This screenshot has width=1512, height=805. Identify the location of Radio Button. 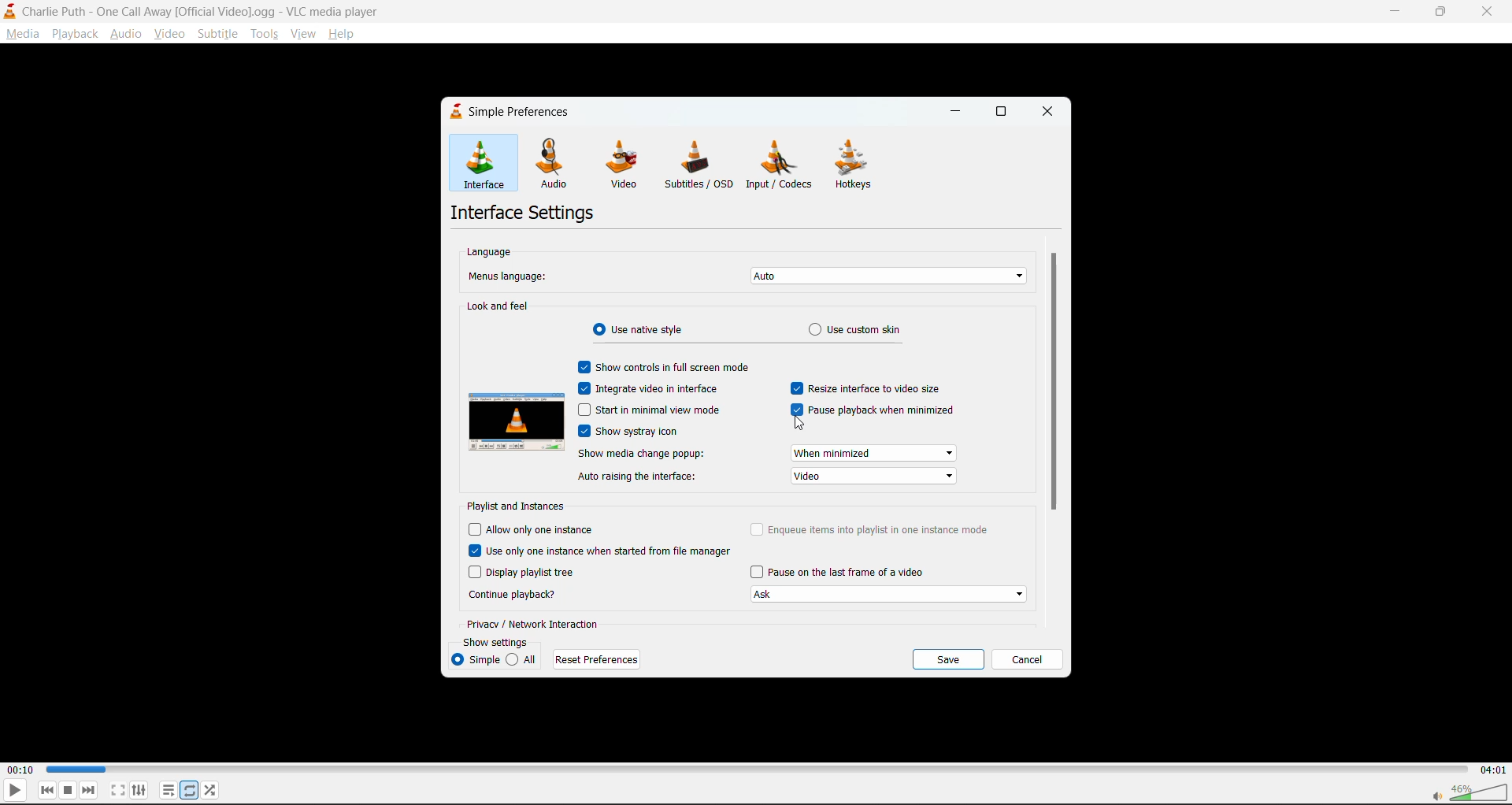
(813, 330).